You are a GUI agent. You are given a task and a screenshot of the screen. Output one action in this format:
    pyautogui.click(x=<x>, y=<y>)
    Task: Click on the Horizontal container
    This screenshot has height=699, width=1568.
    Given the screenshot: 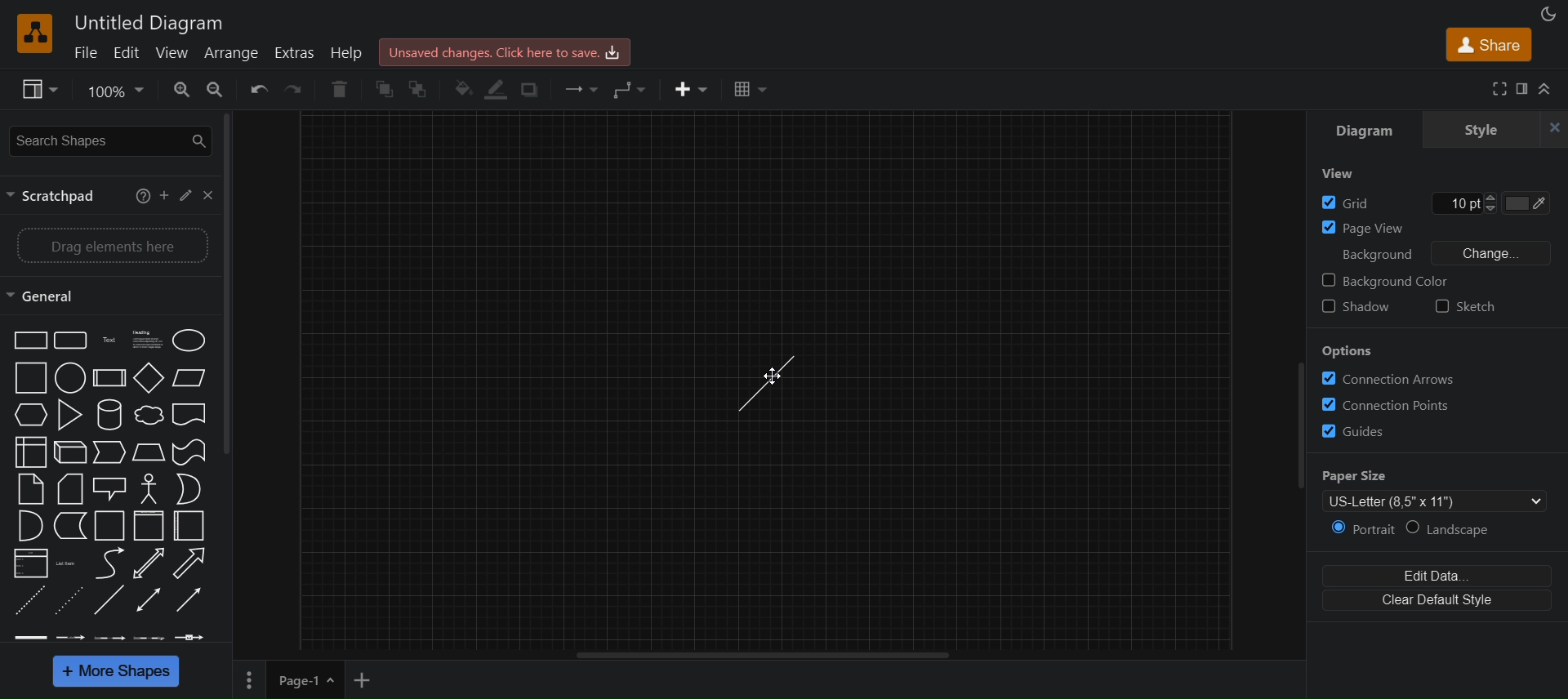 What is the action you would take?
    pyautogui.click(x=193, y=527)
    